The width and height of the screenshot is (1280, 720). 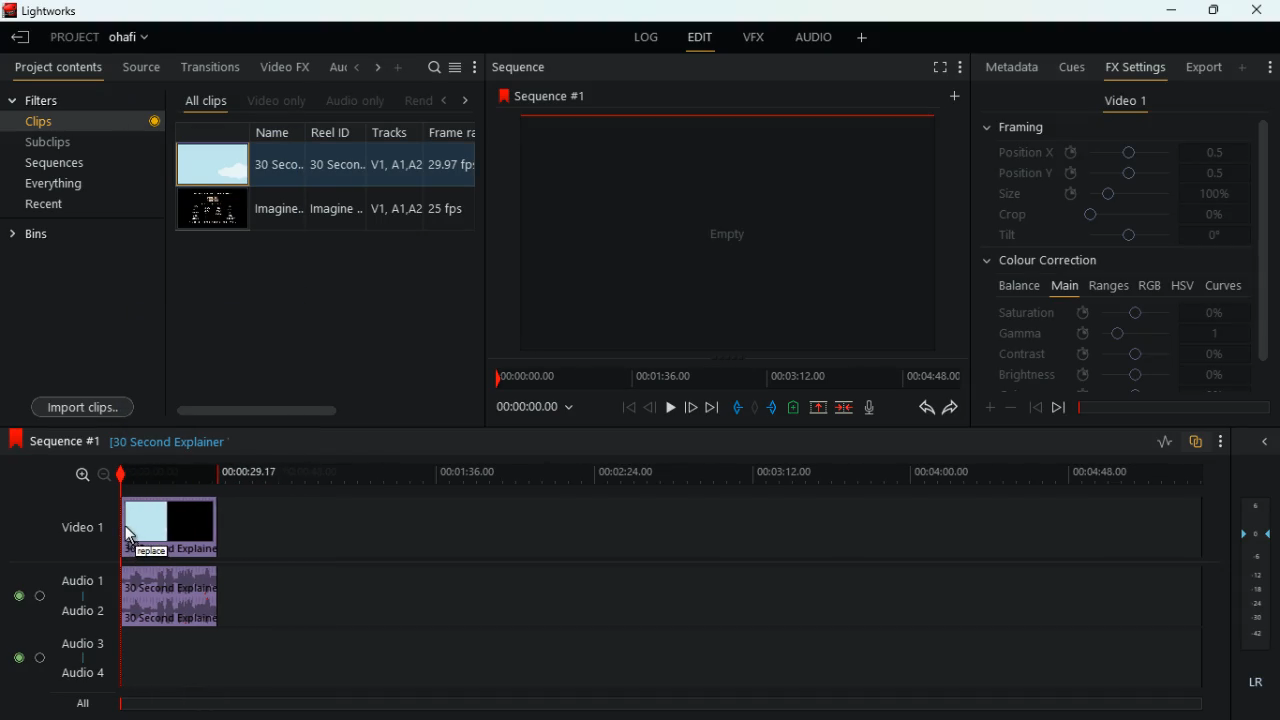 I want to click on lr, so click(x=1253, y=684).